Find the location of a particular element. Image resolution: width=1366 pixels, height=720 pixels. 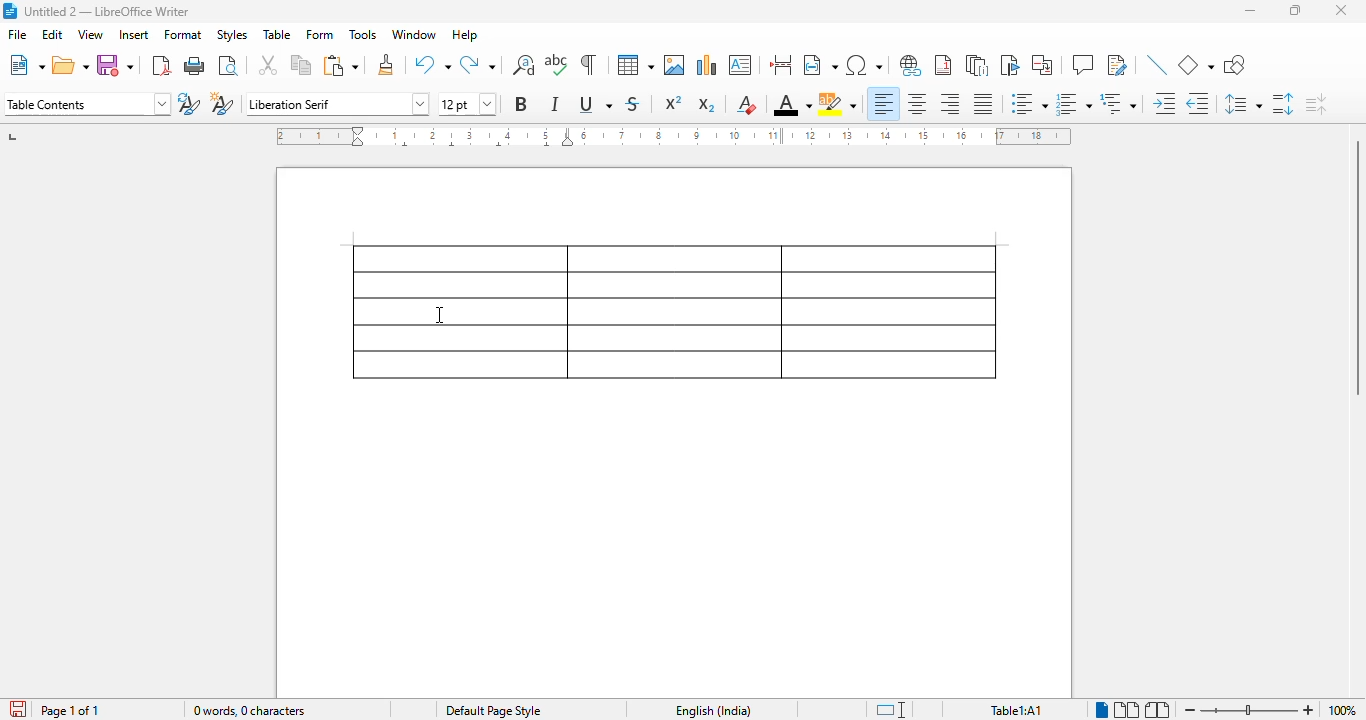

insert page break is located at coordinates (781, 64).